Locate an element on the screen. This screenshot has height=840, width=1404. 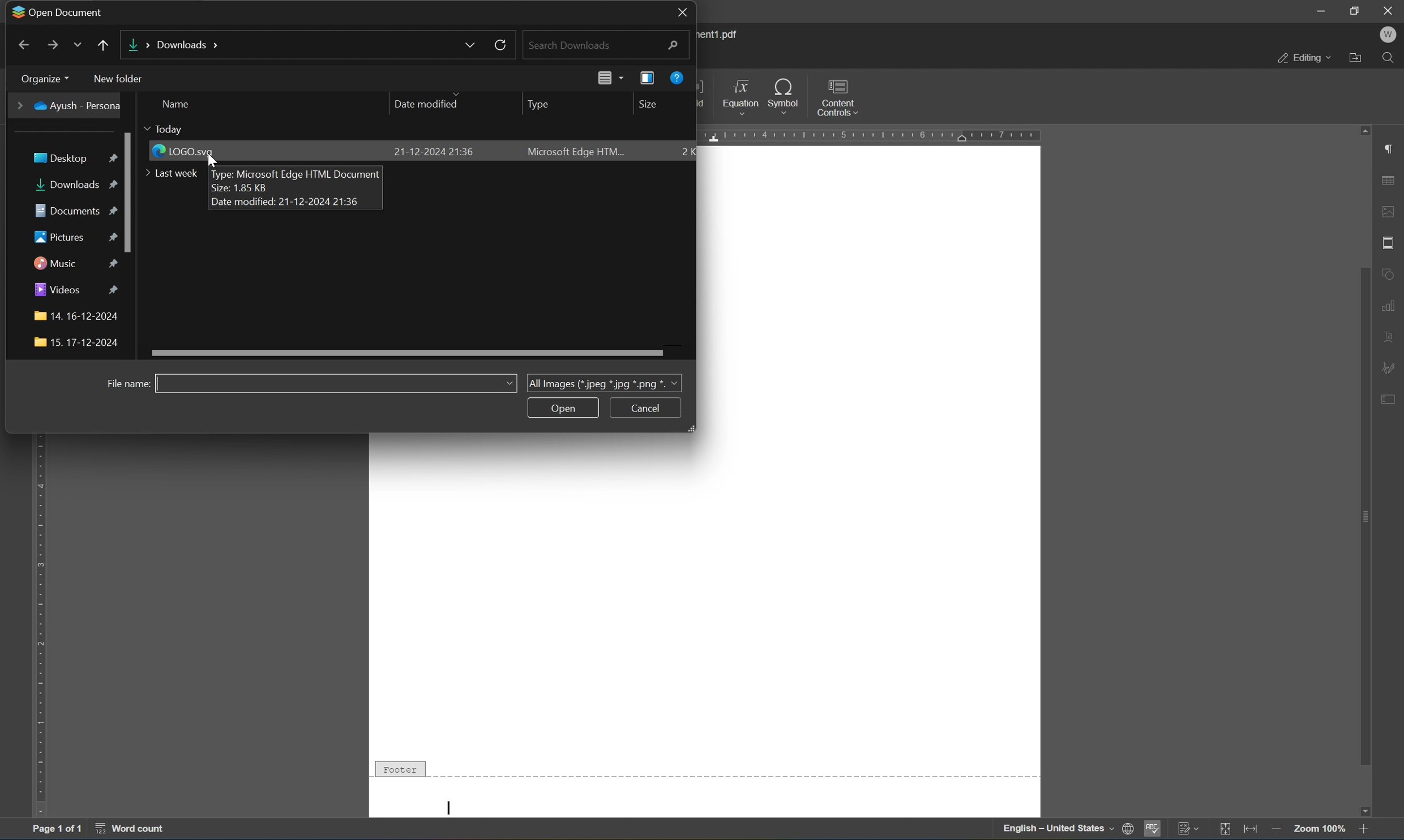
header & footer settings is located at coordinates (1391, 242).